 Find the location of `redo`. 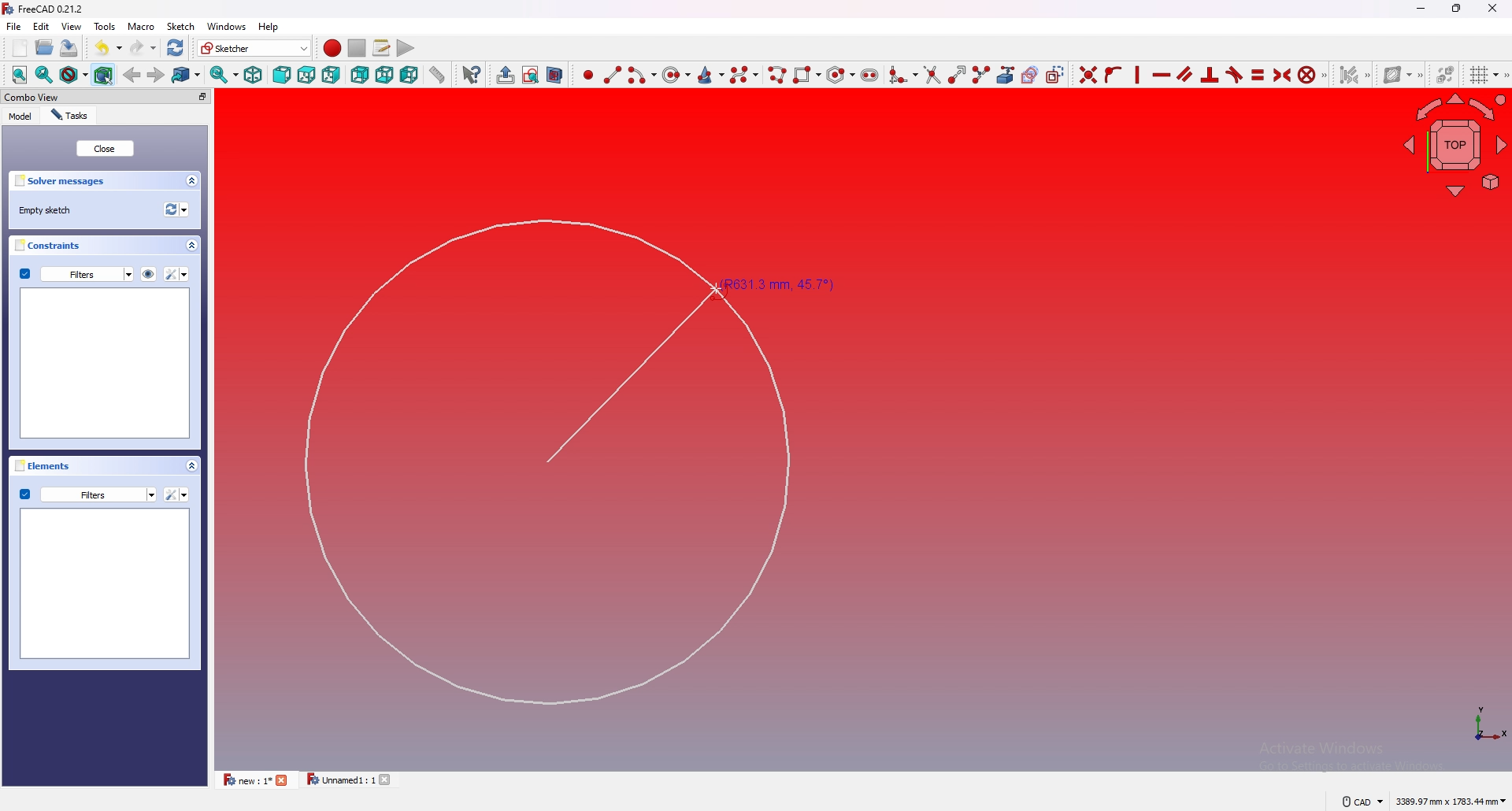

redo is located at coordinates (145, 47).